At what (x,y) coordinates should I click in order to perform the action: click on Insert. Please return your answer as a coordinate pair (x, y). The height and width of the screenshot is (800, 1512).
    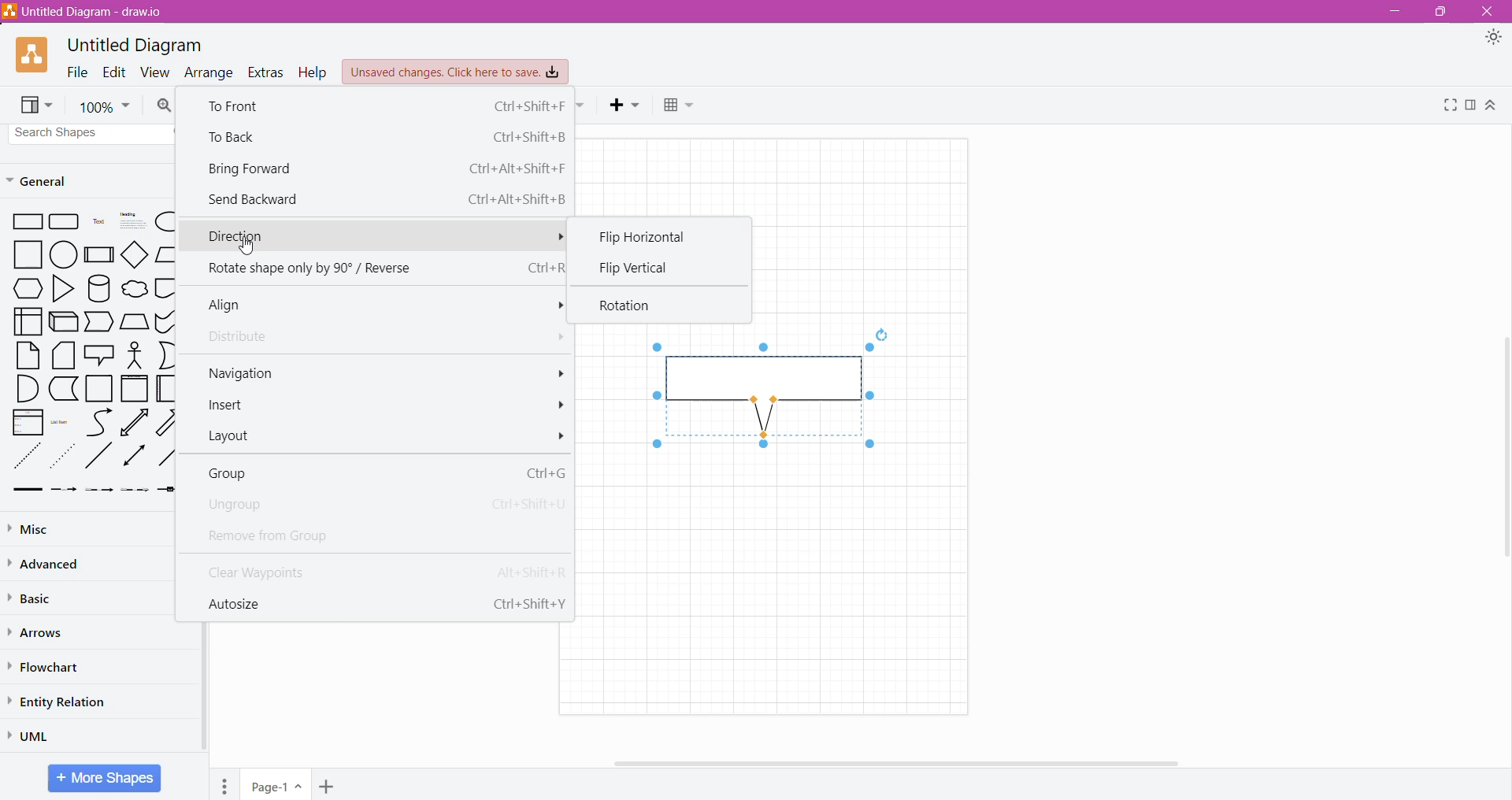
    Looking at the image, I should click on (232, 406).